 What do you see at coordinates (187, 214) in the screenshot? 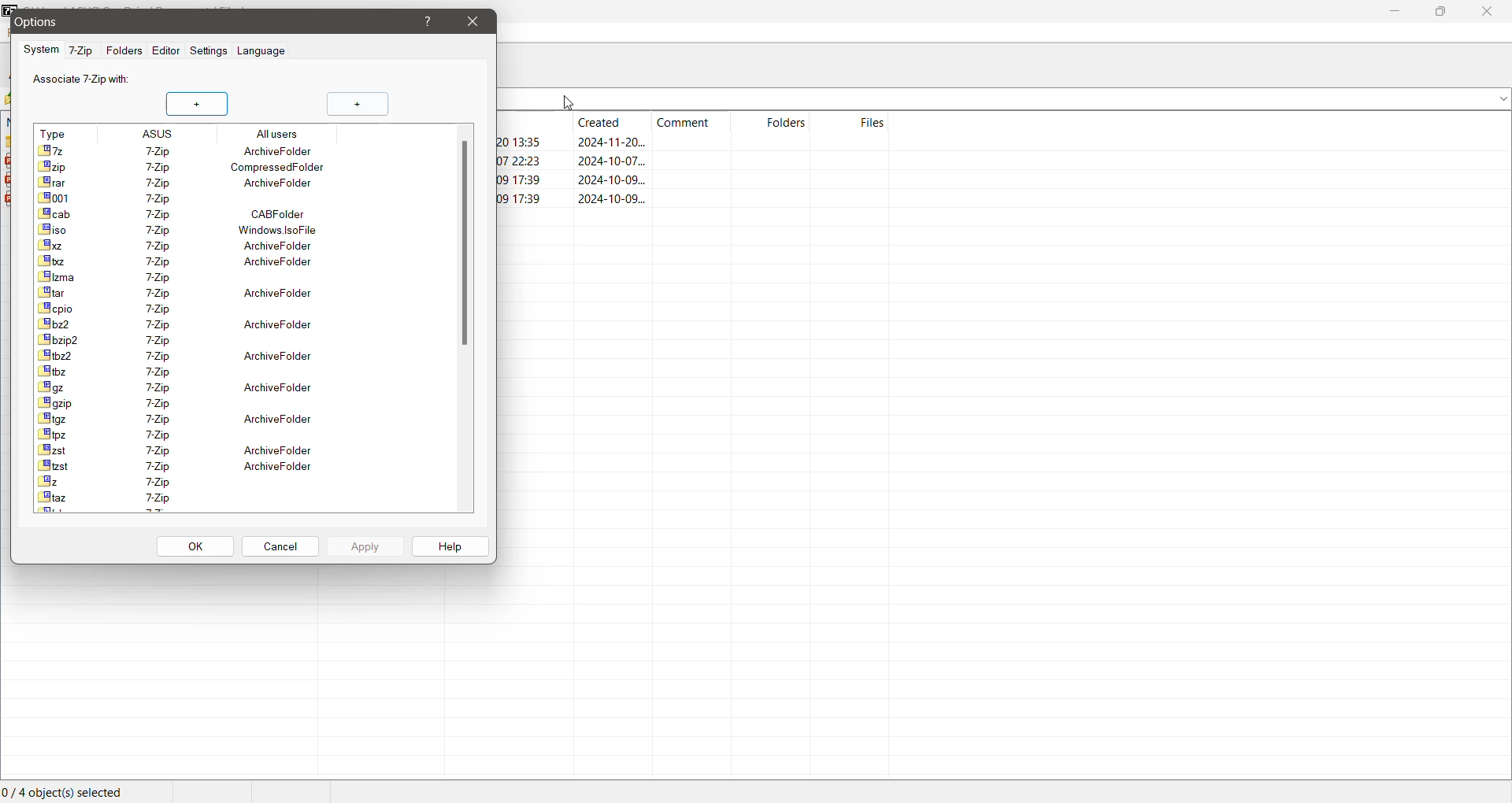
I see `CABFolder` at bounding box center [187, 214].